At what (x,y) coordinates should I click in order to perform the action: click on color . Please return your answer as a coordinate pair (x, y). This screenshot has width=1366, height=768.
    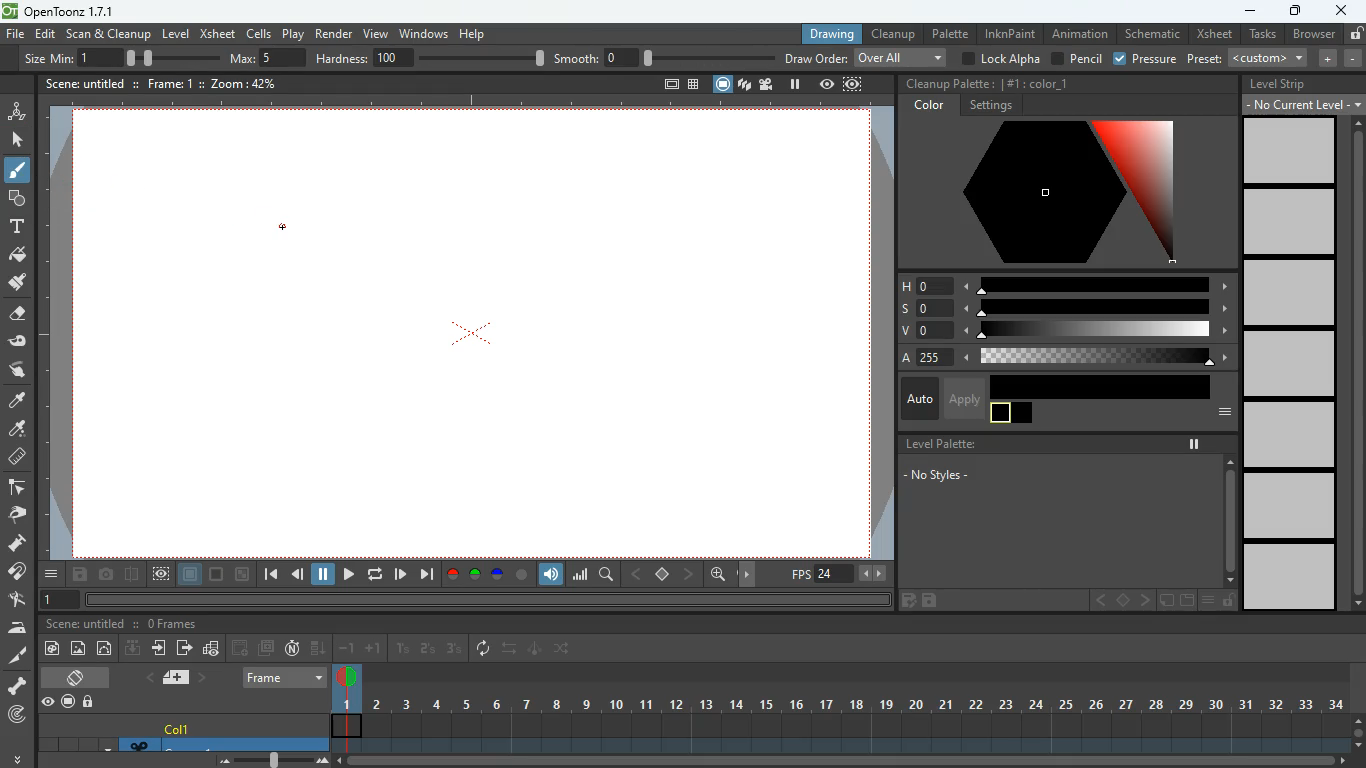
    Looking at the image, I should click on (1101, 386).